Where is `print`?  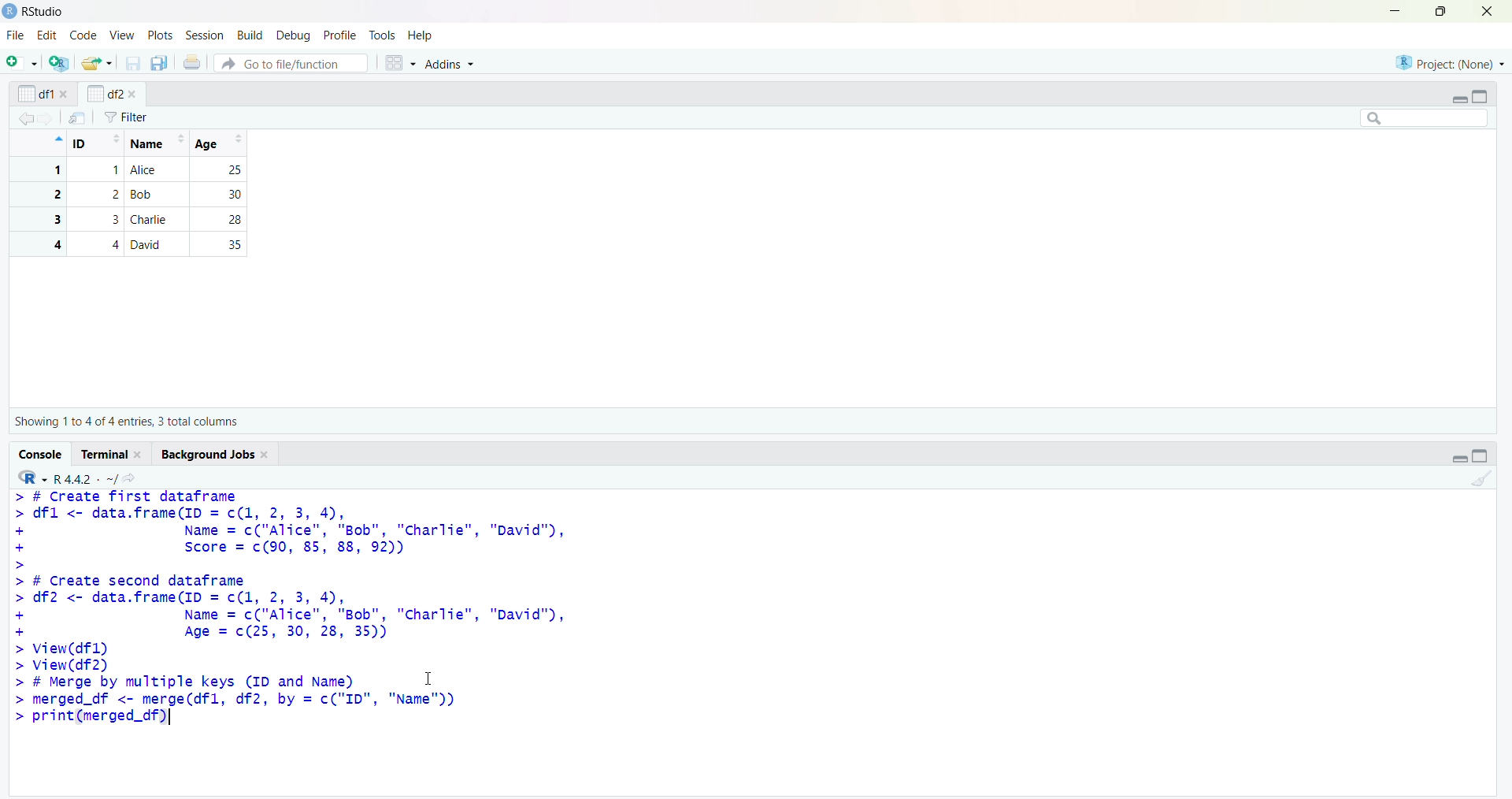 print is located at coordinates (193, 61).